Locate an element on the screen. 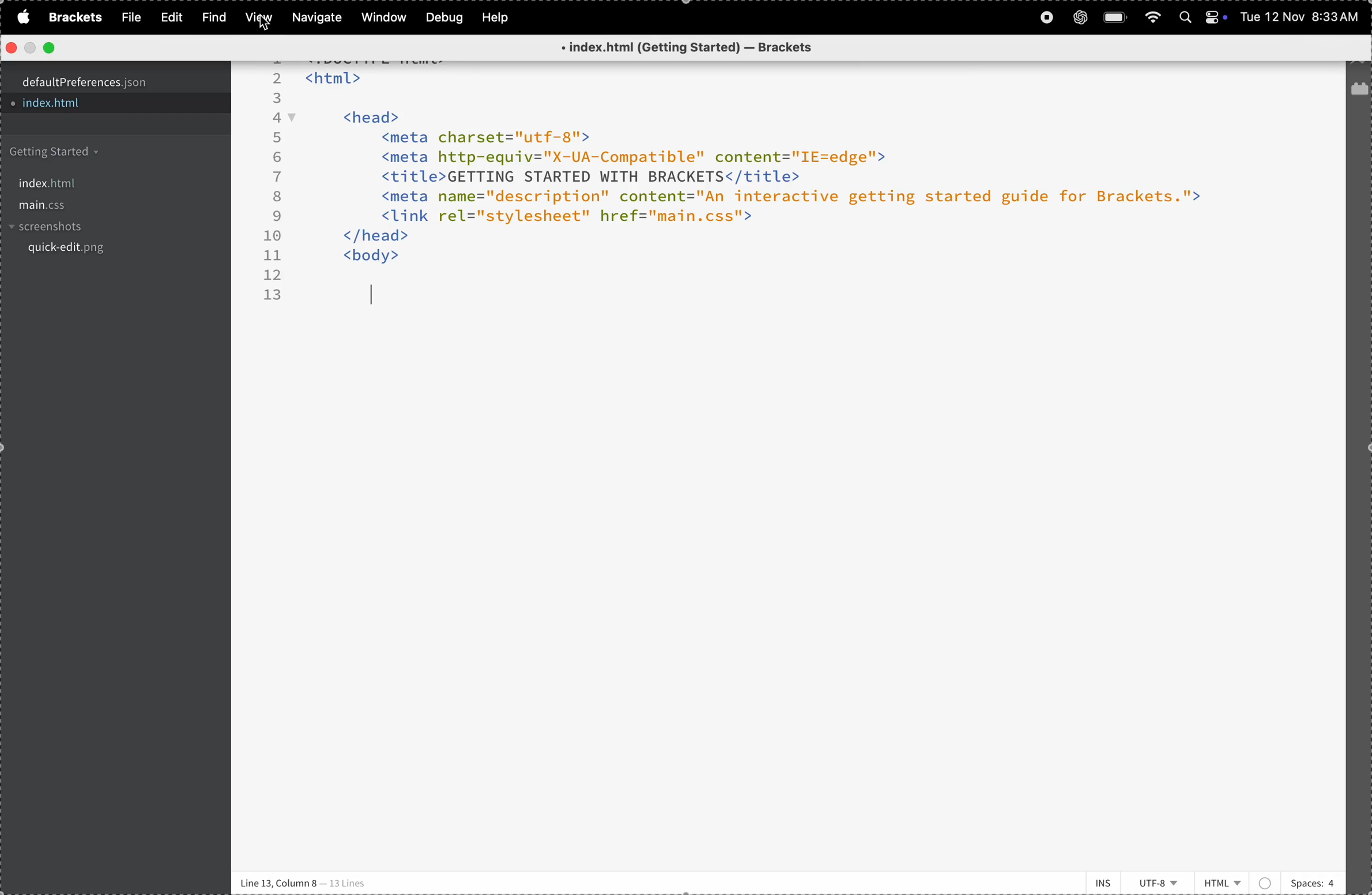 This screenshot has width=1372, height=895. find is located at coordinates (211, 17).